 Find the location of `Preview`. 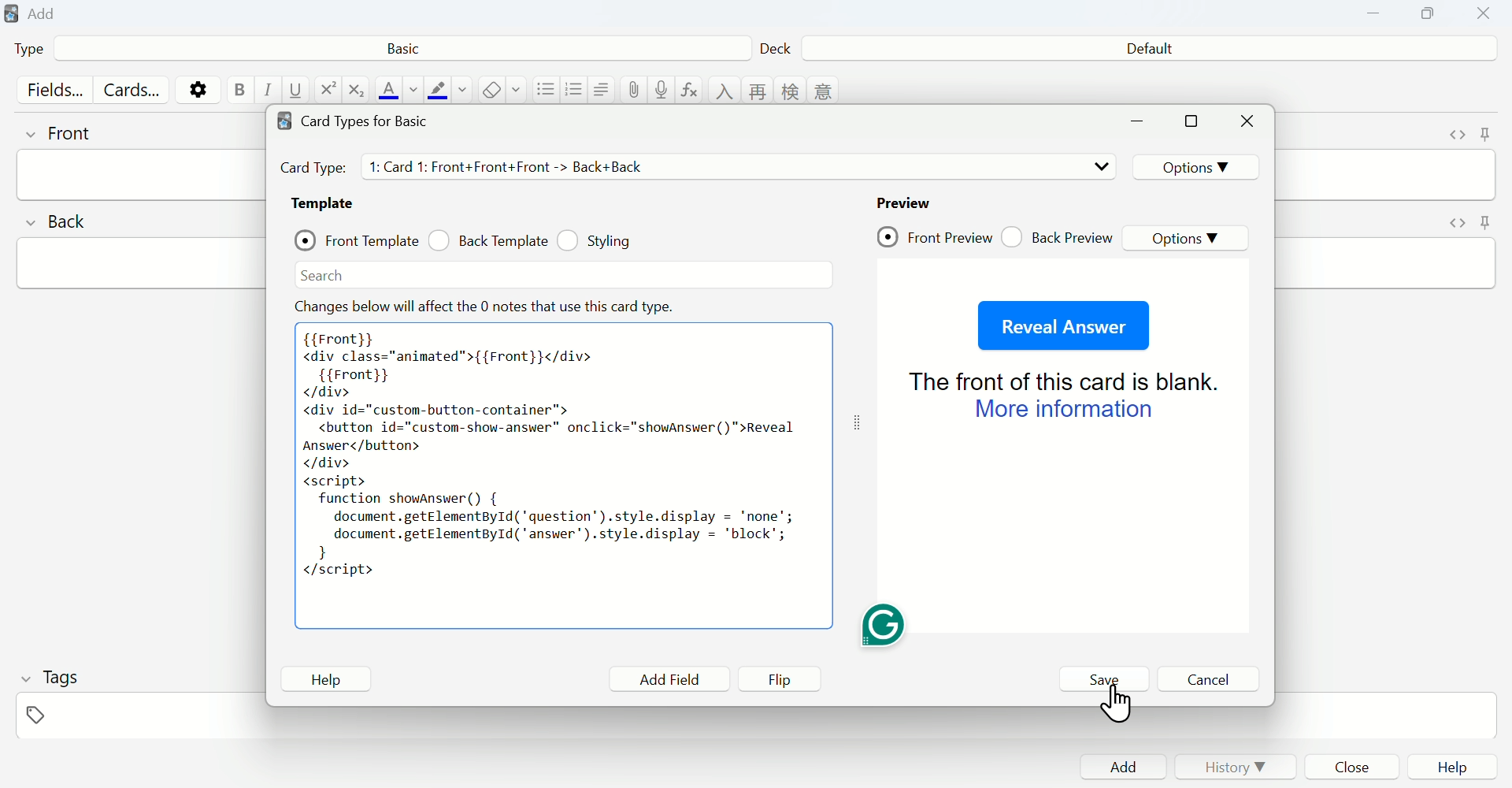

Preview is located at coordinates (905, 203).